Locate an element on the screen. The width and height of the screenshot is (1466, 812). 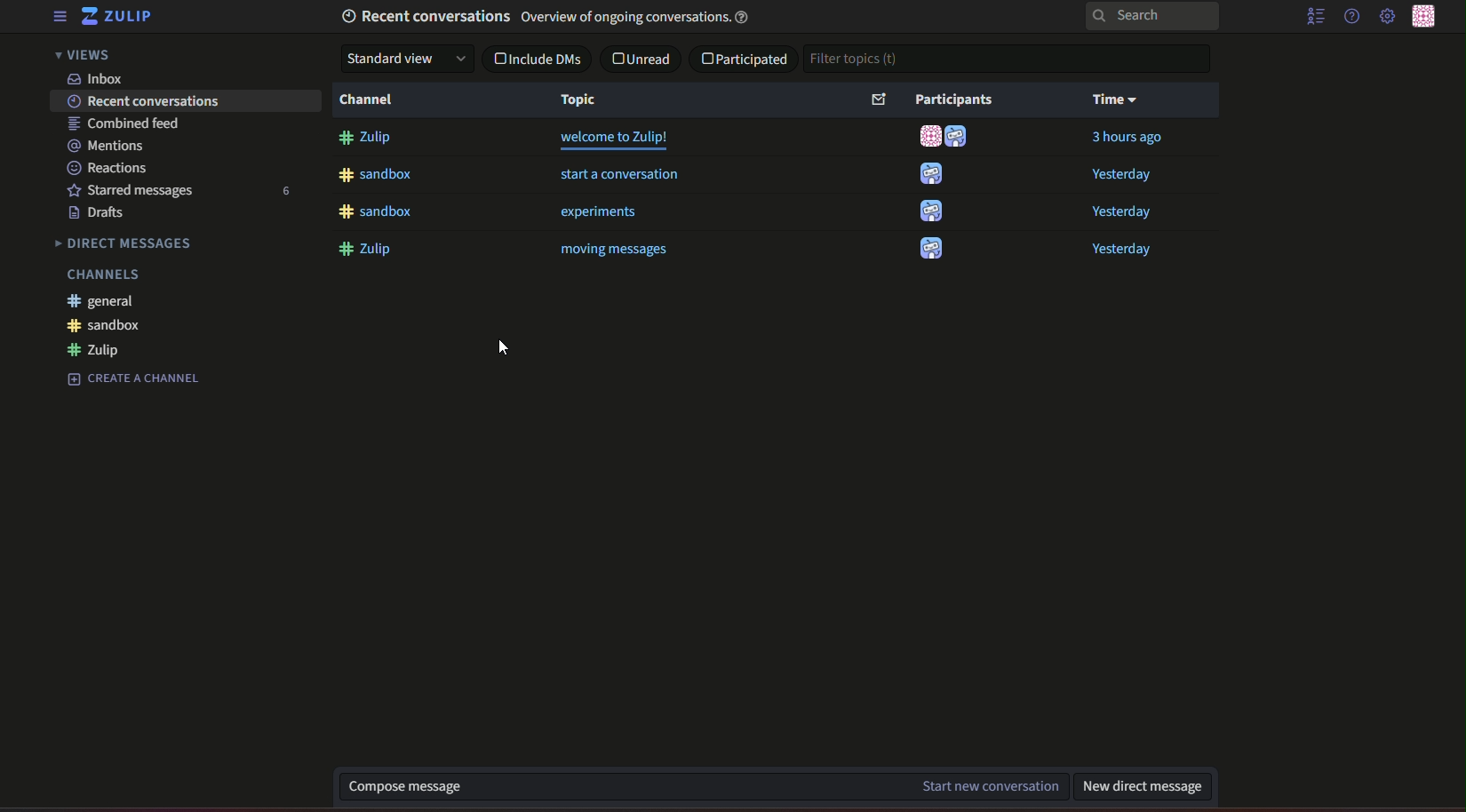
icon is located at coordinates (928, 137).